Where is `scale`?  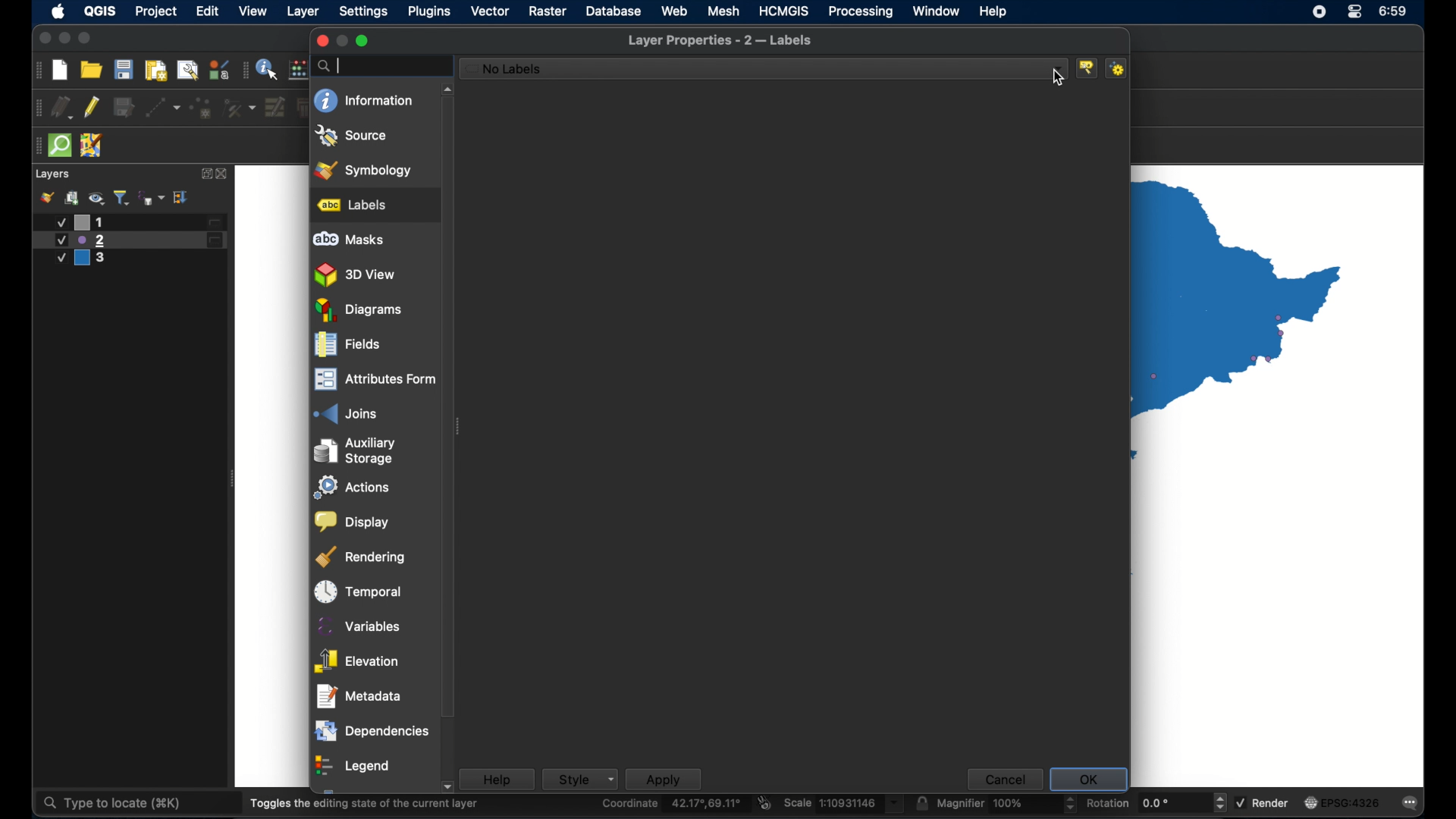 scale is located at coordinates (844, 804).